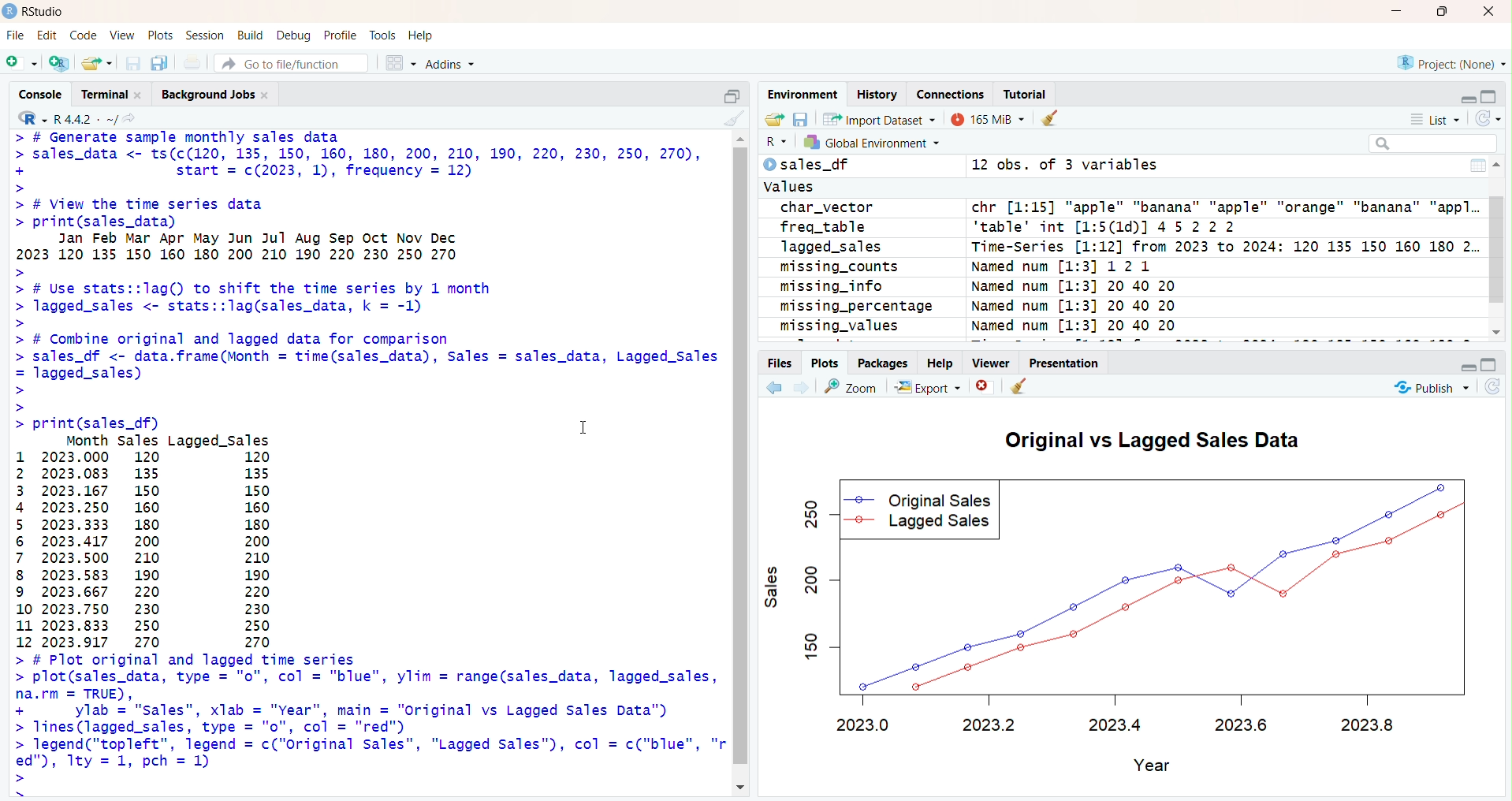 The image size is (1512, 801). I want to click on > # View the Time series data> print(sales_data), so click(186, 212).